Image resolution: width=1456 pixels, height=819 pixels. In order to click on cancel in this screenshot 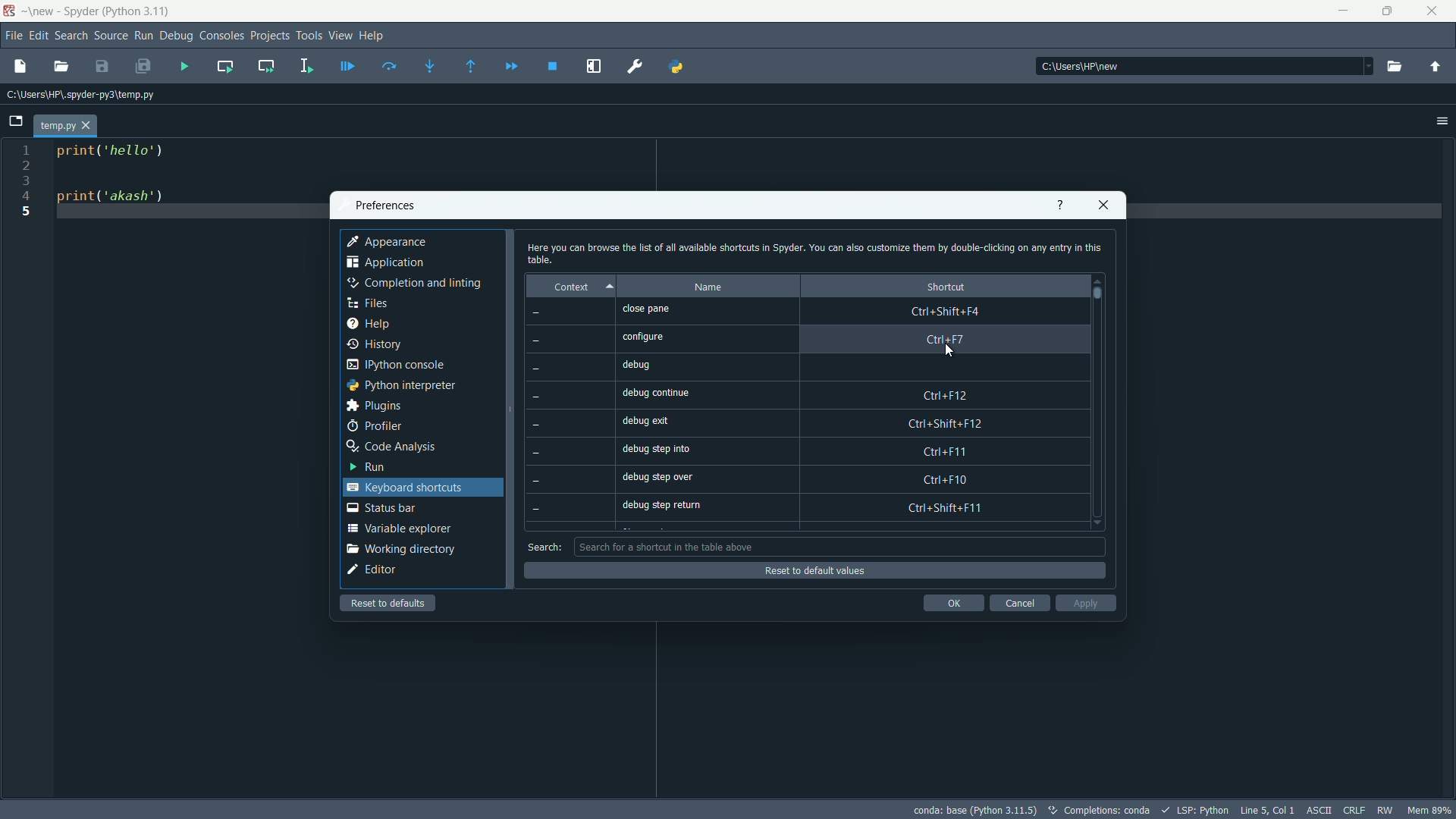, I will do `click(1018, 603)`.